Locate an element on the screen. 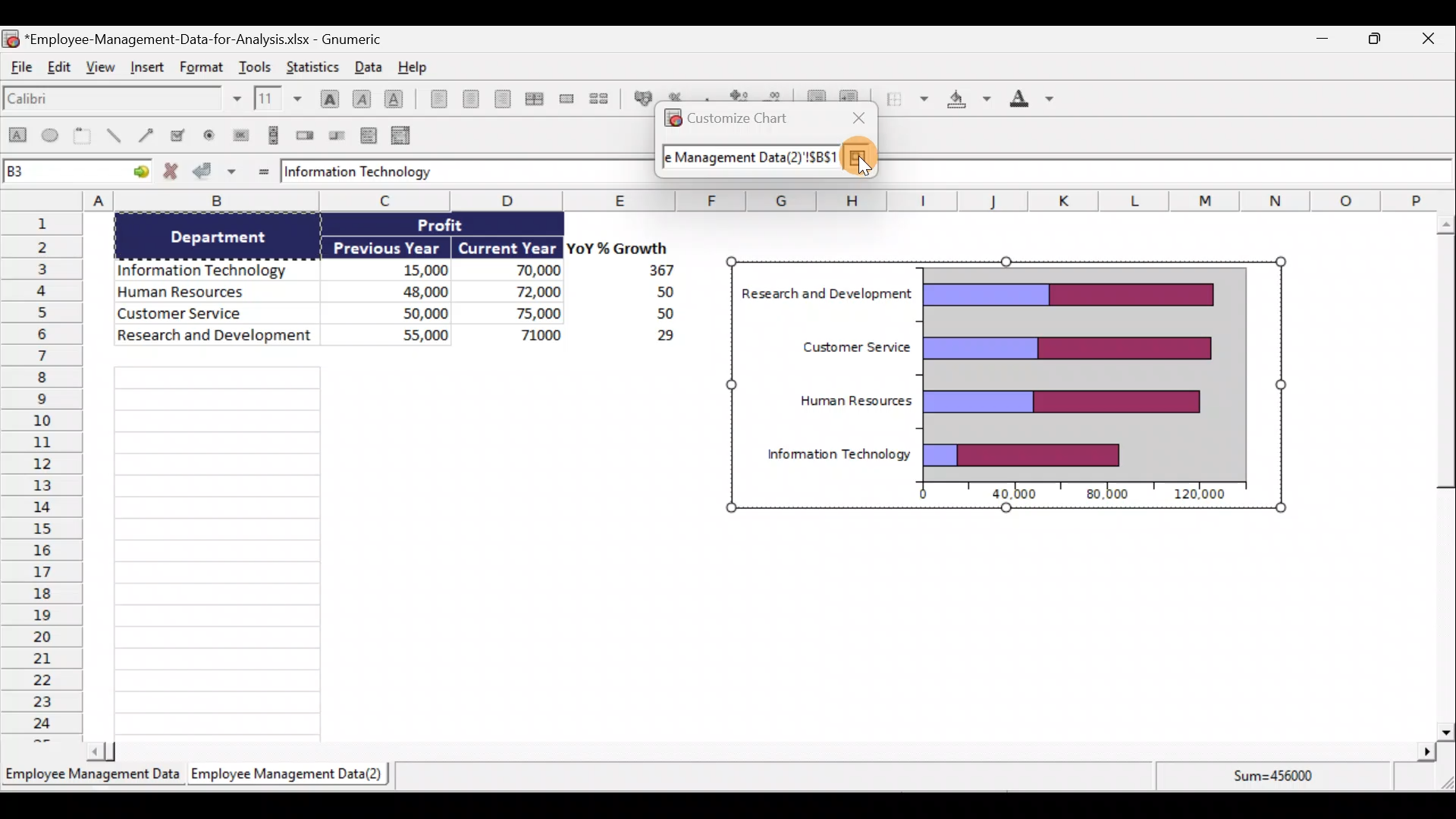 Image resolution: width=1456 pixels, height=819 pixels. Format is located at coordinates (205, 65).